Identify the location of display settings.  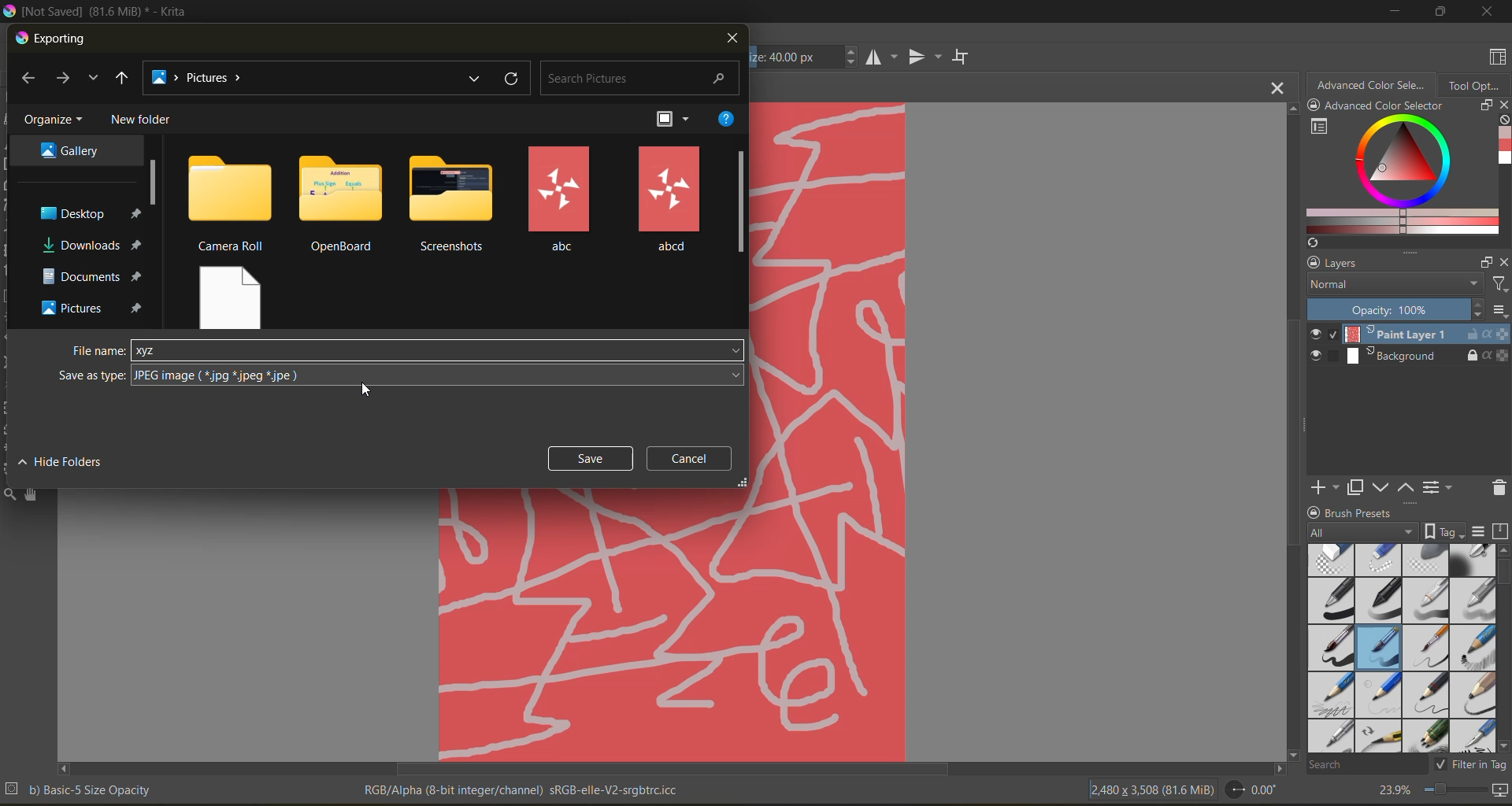
(1478, 531).